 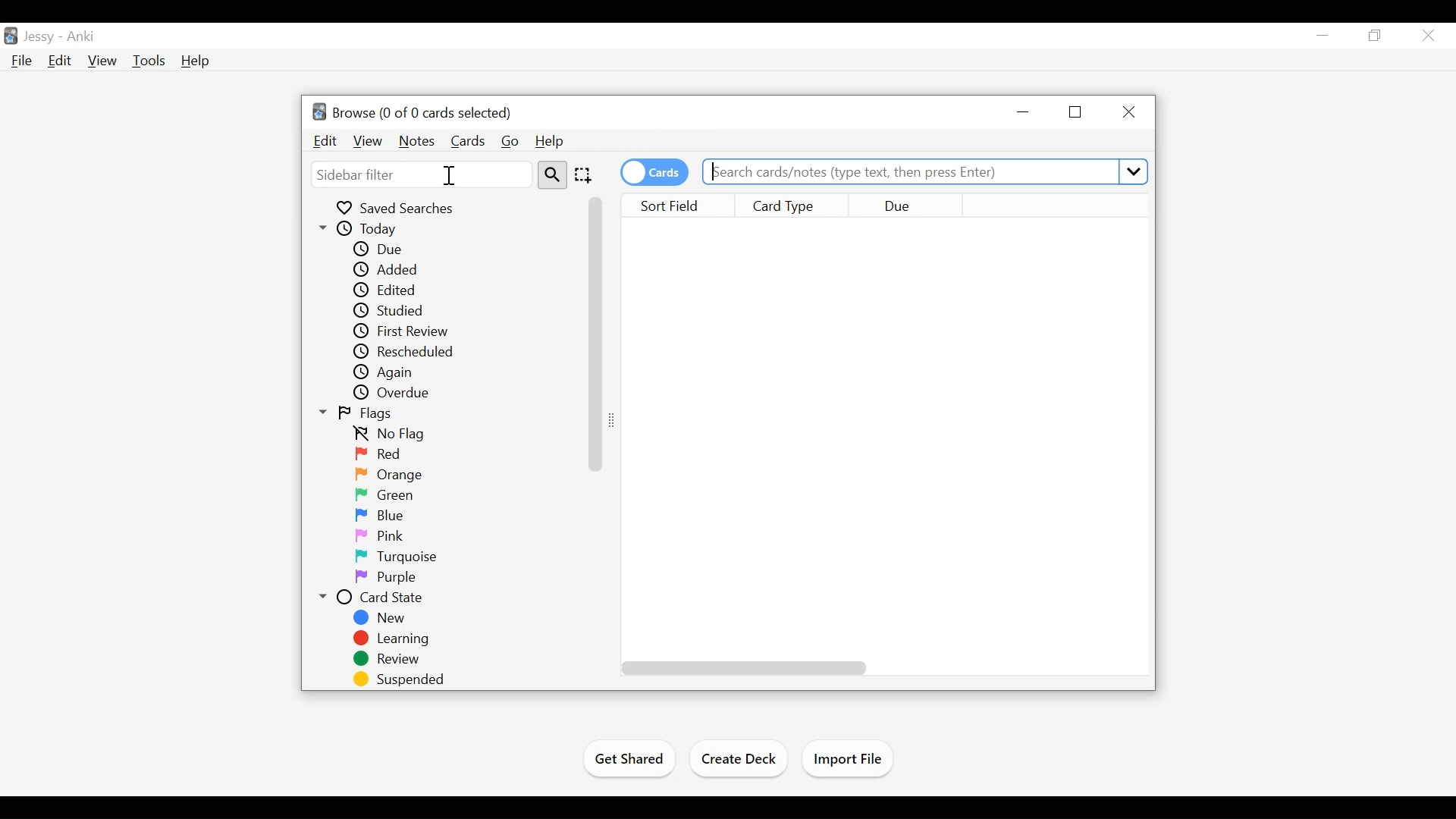 I want to click on Orange, so click(x=393, y=475).